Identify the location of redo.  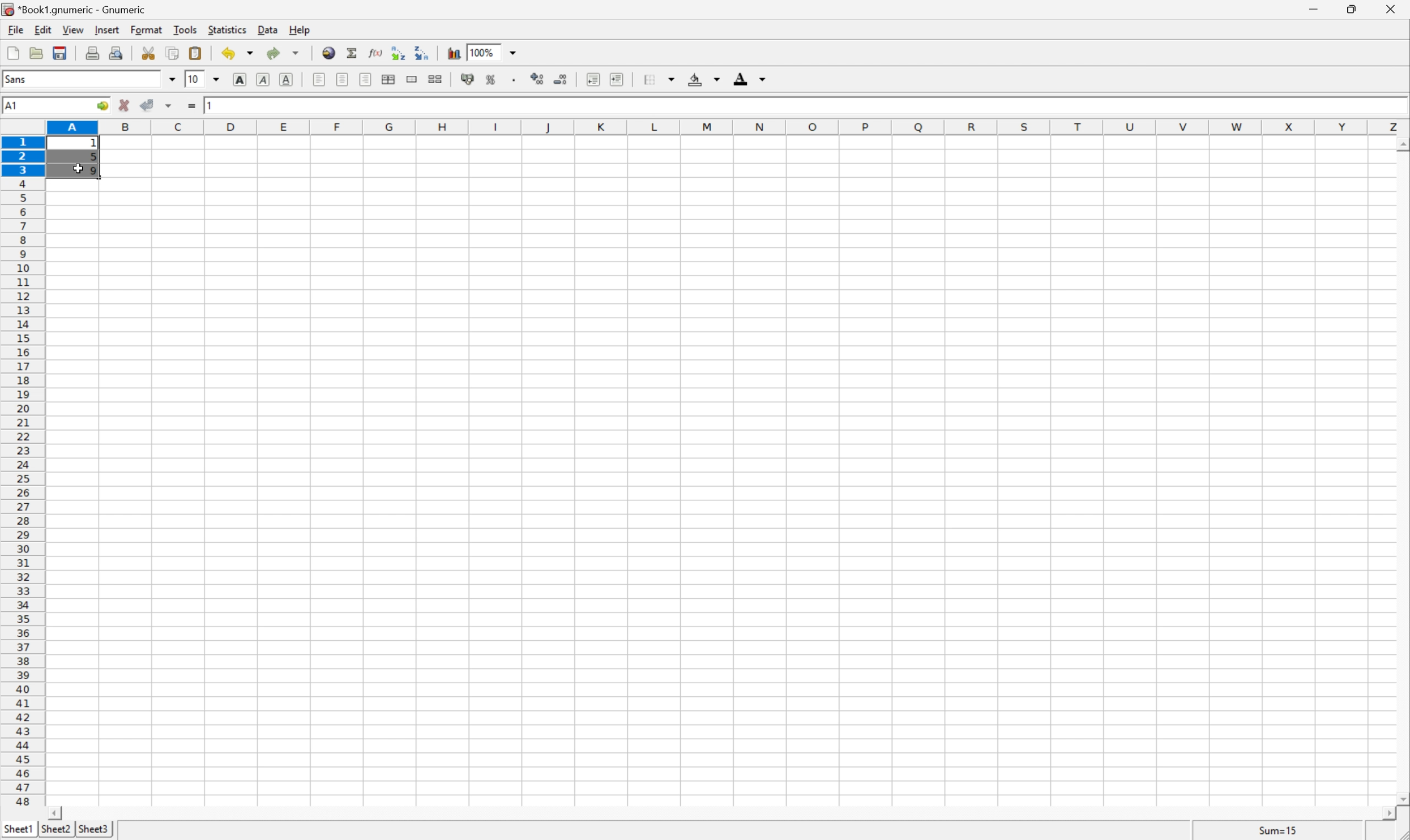
(283, 53).